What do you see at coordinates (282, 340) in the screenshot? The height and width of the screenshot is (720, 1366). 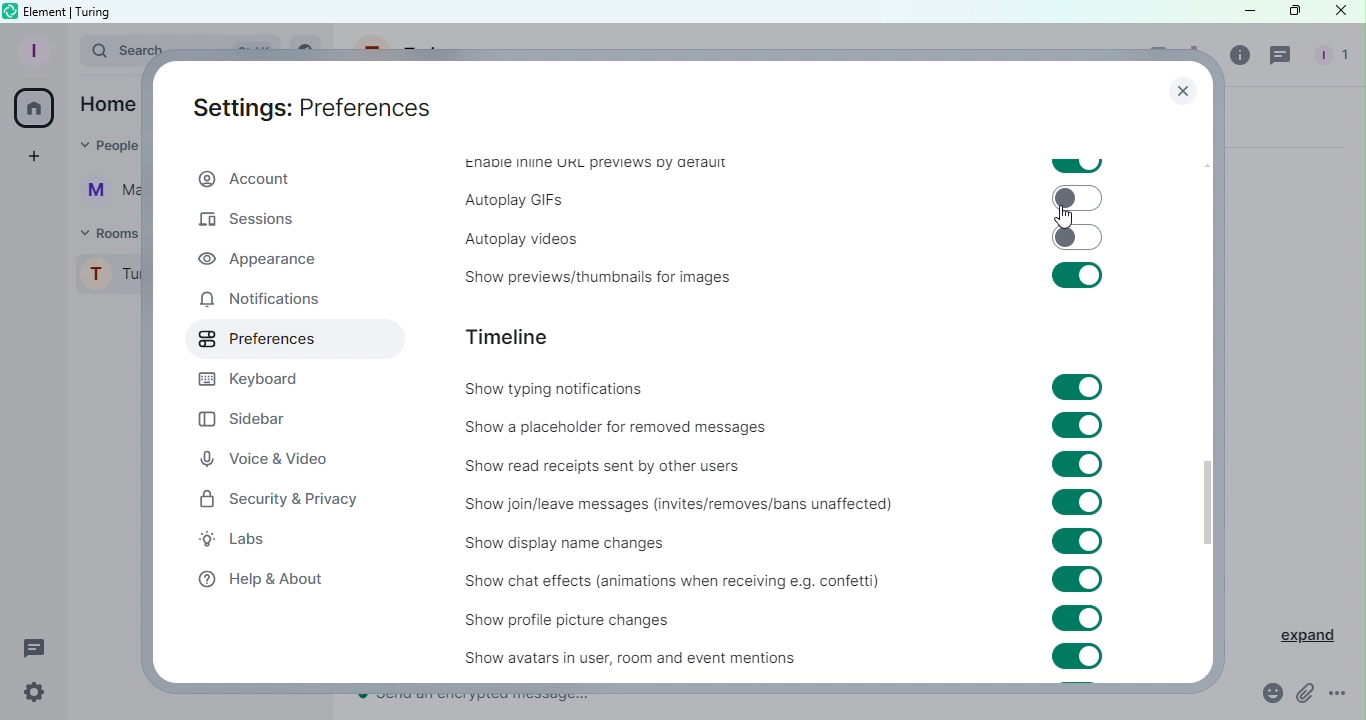 I see `Prefrences` at bounding box center [282, 340].